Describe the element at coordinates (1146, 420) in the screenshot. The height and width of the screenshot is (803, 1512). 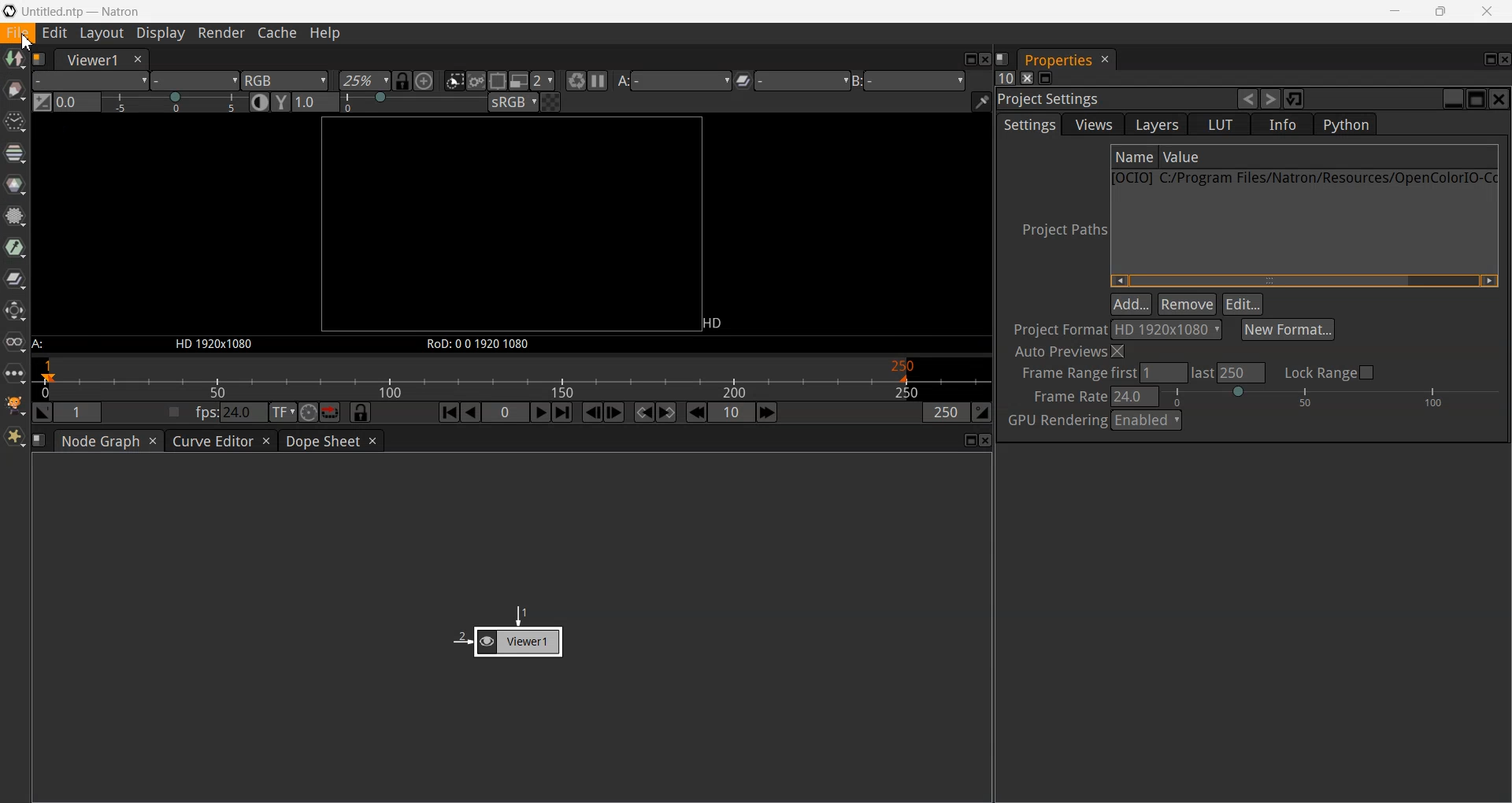
I see `GPU rendering Enable/ disable` at that location.